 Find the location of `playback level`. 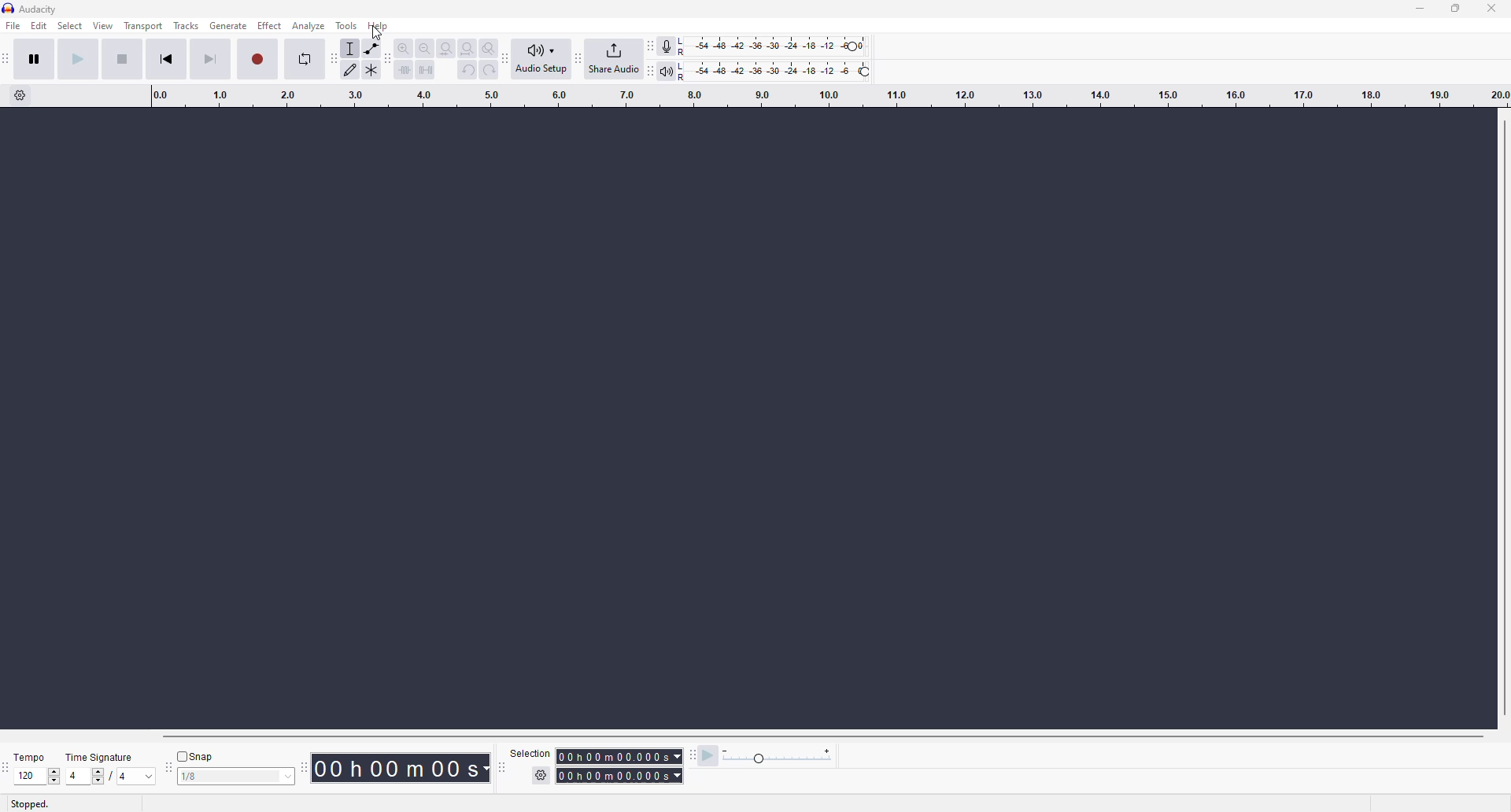

playback level is located at coordinates (783, 68).